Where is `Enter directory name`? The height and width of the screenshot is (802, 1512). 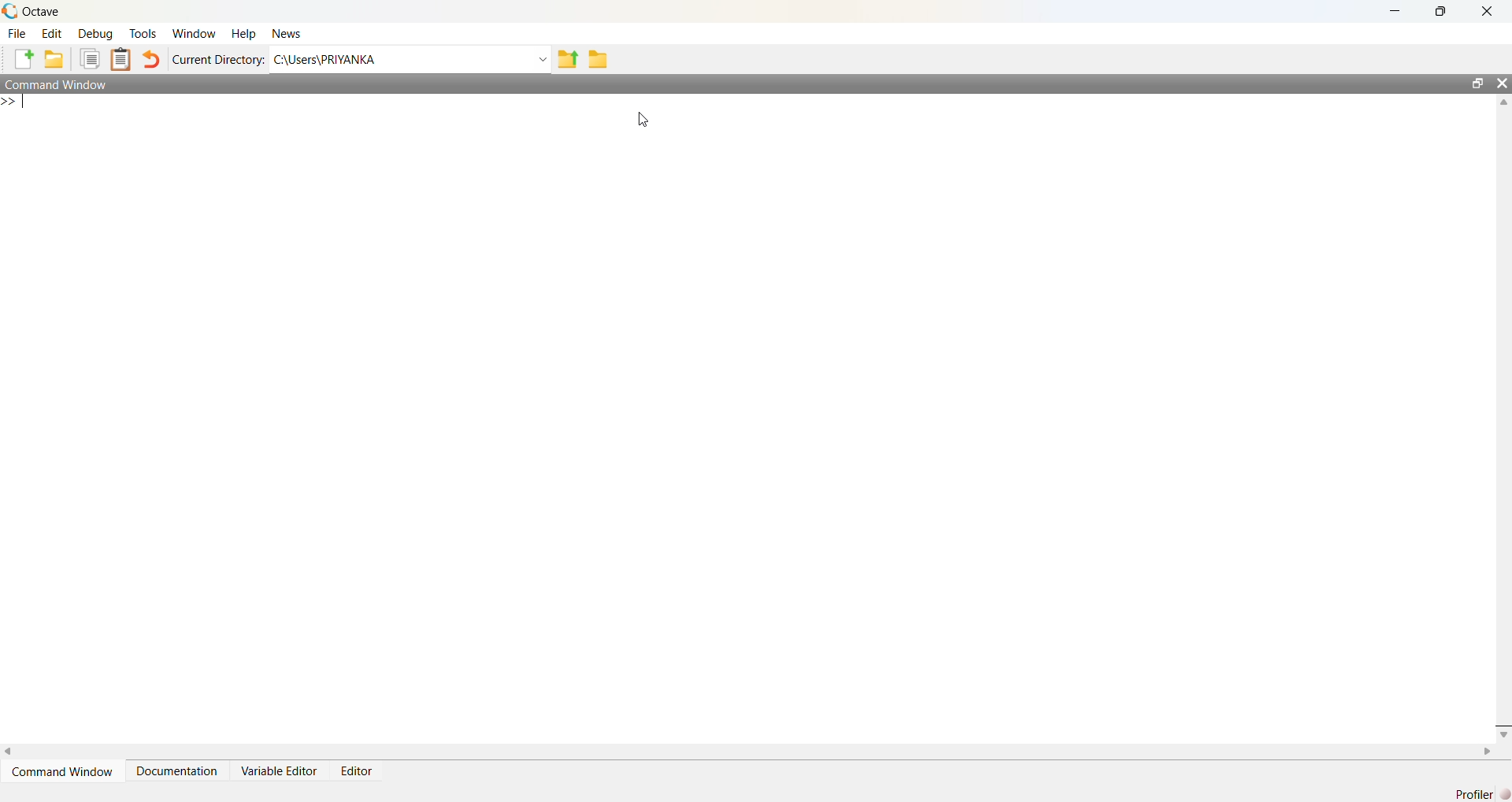
Enter directory name is located at coordinates (540, 58).